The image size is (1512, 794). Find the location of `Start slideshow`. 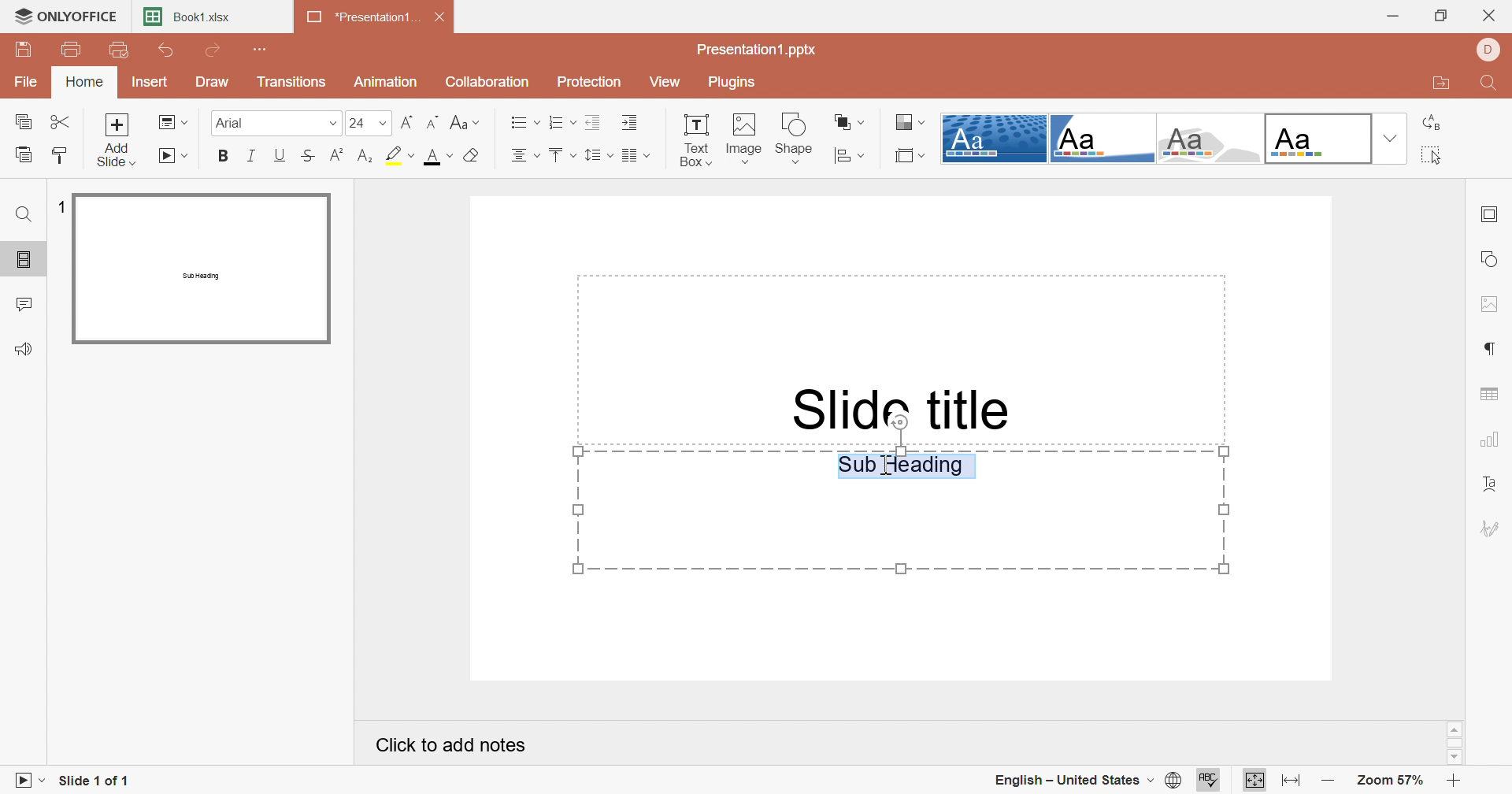

Start slideshow is located at coordinates (174, 156).